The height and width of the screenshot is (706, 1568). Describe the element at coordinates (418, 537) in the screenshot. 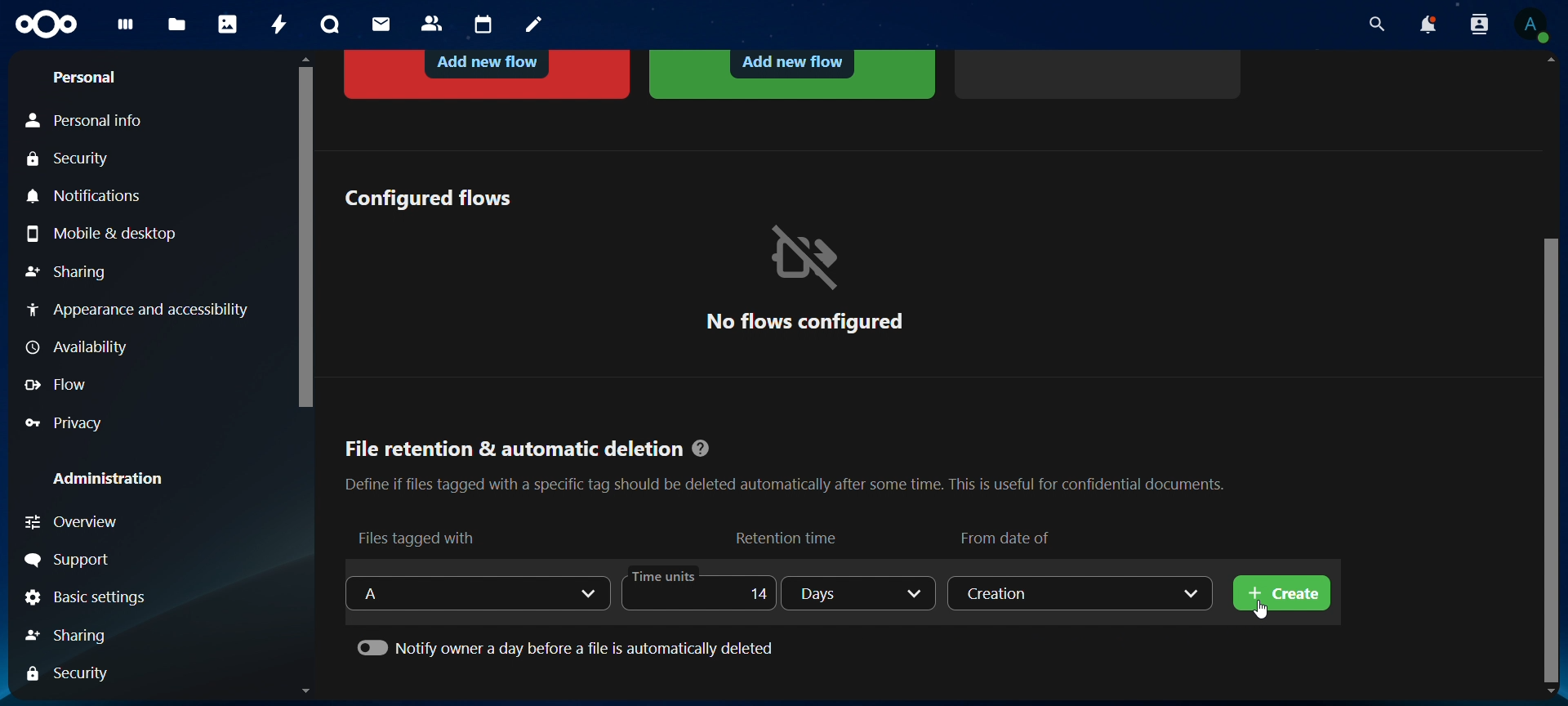

I see `files tagged with` at that location.